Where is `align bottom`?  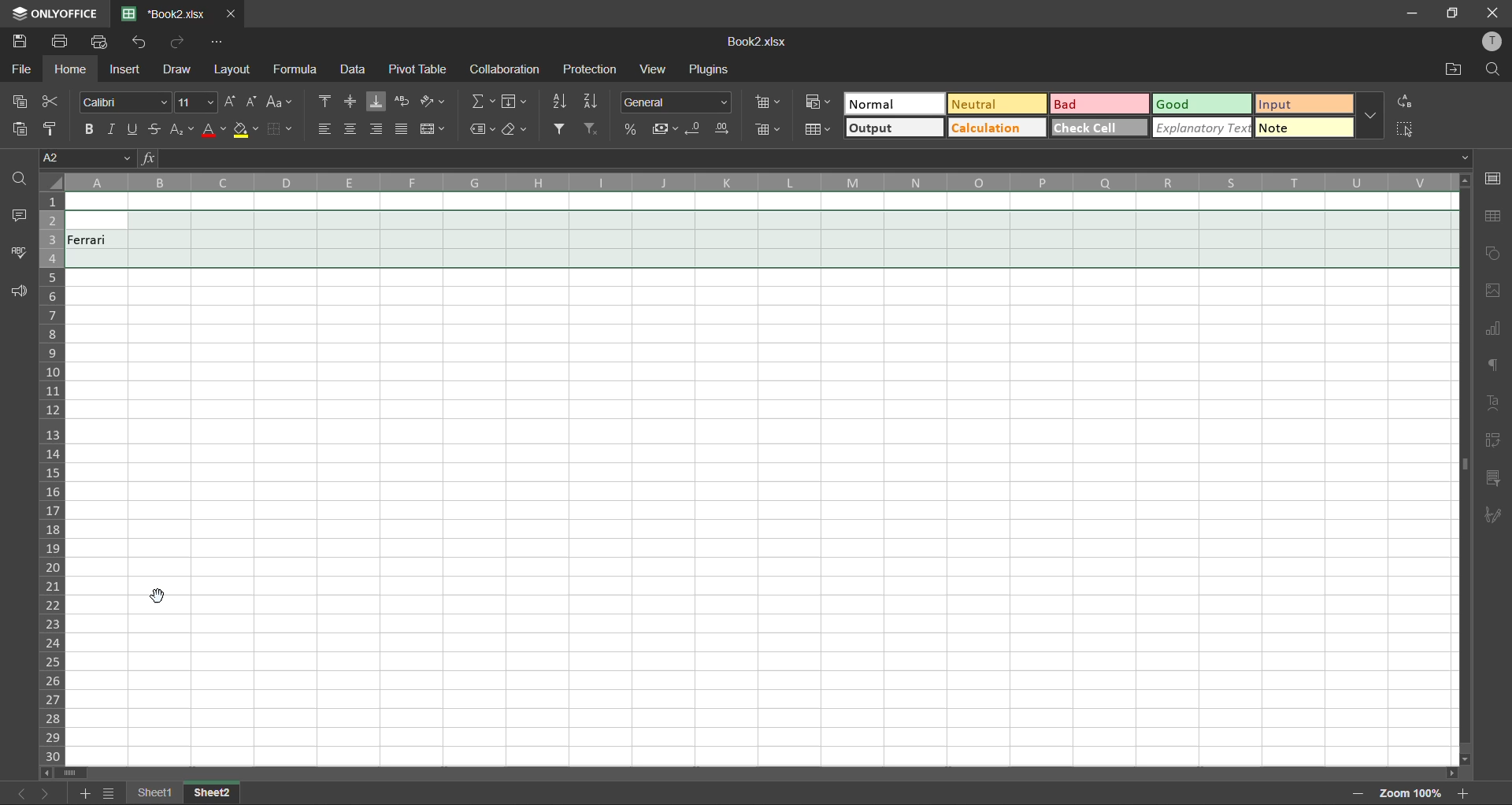 align bottom is located at coordinates (373, 102).